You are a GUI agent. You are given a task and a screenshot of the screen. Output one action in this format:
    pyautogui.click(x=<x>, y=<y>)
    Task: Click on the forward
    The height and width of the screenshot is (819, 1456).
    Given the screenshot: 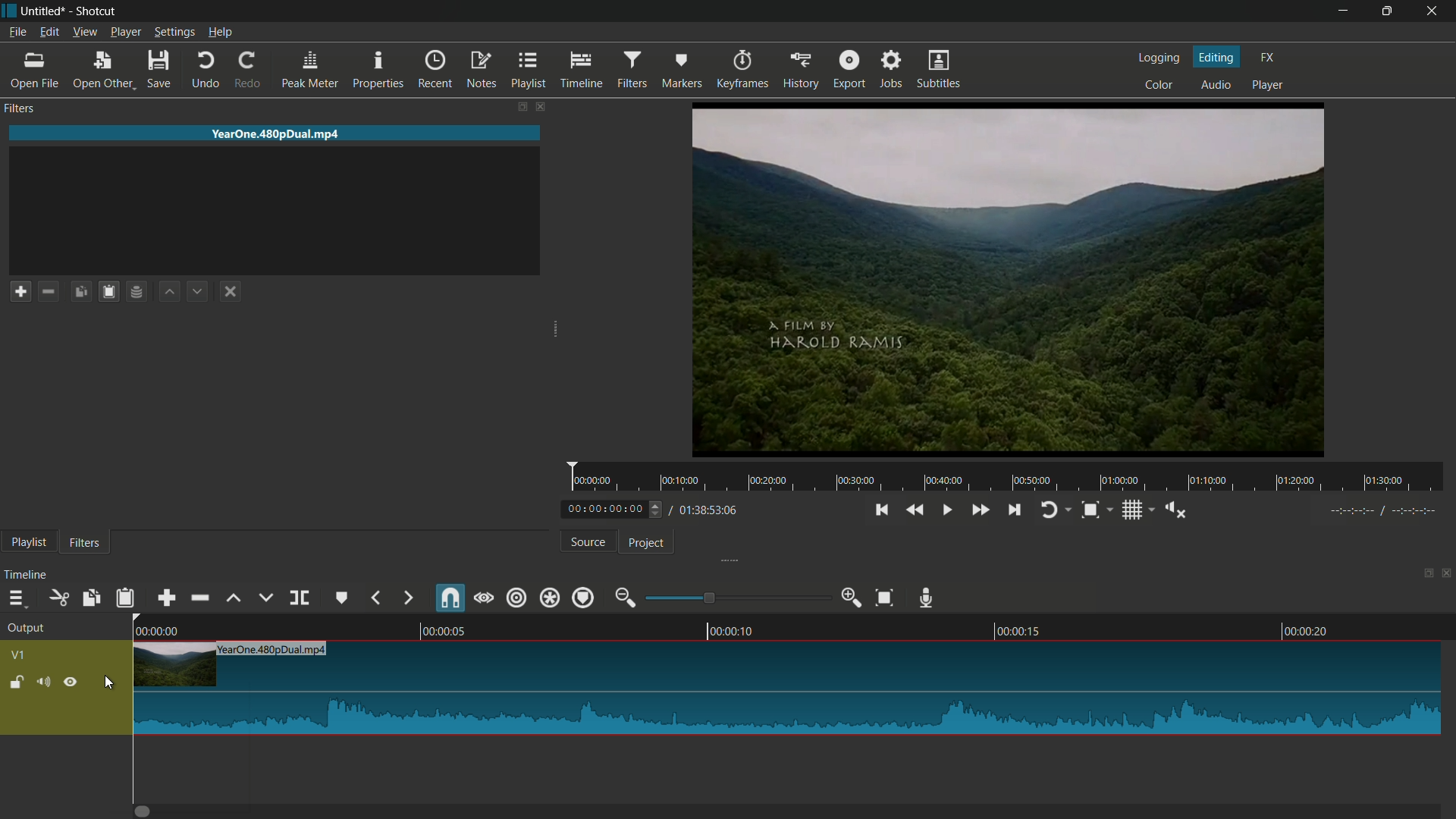 What is the action you would take?
    pyautogui.click(x=407, y=598)
    